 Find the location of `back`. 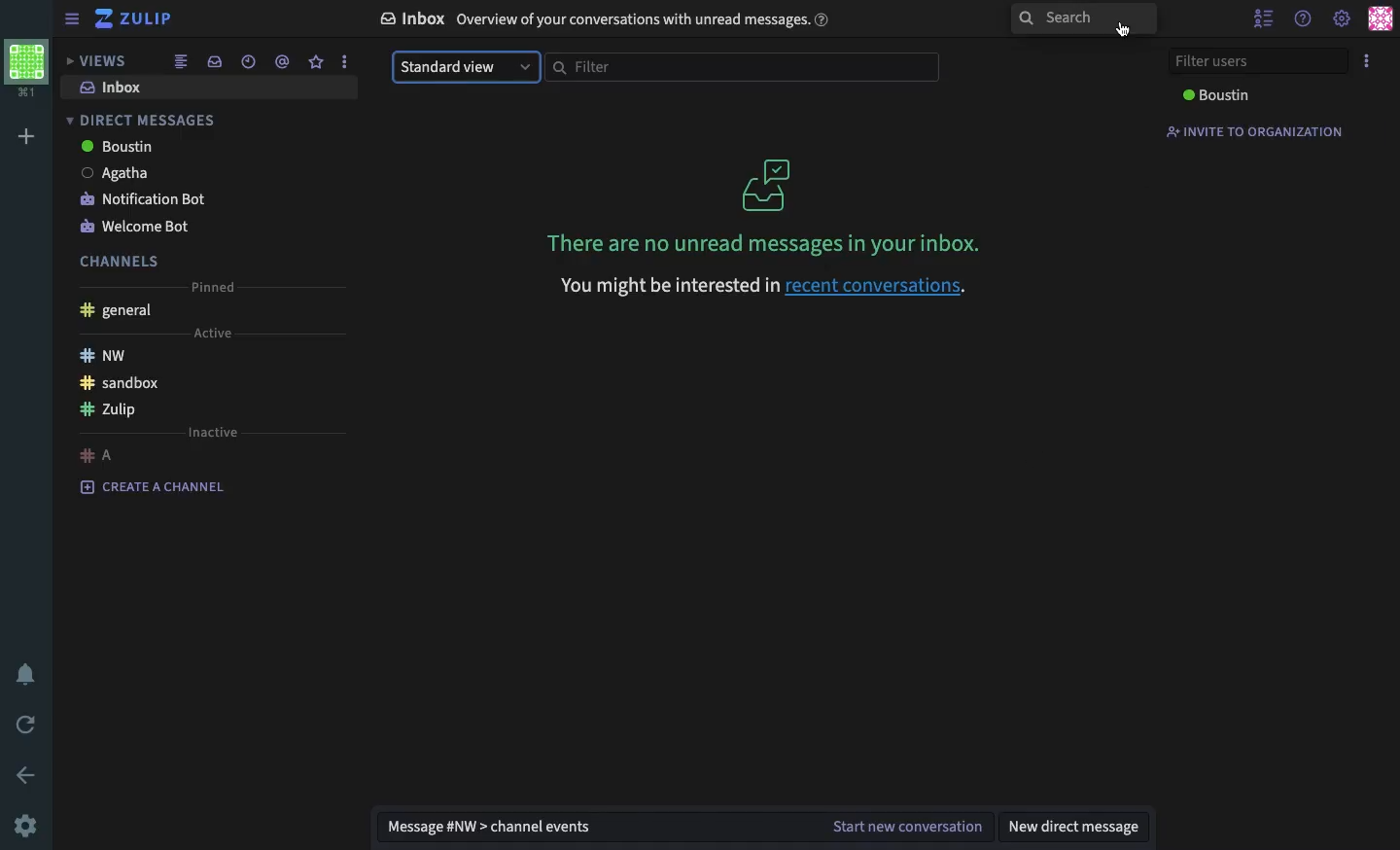

back is located at coordinates (28, 775).